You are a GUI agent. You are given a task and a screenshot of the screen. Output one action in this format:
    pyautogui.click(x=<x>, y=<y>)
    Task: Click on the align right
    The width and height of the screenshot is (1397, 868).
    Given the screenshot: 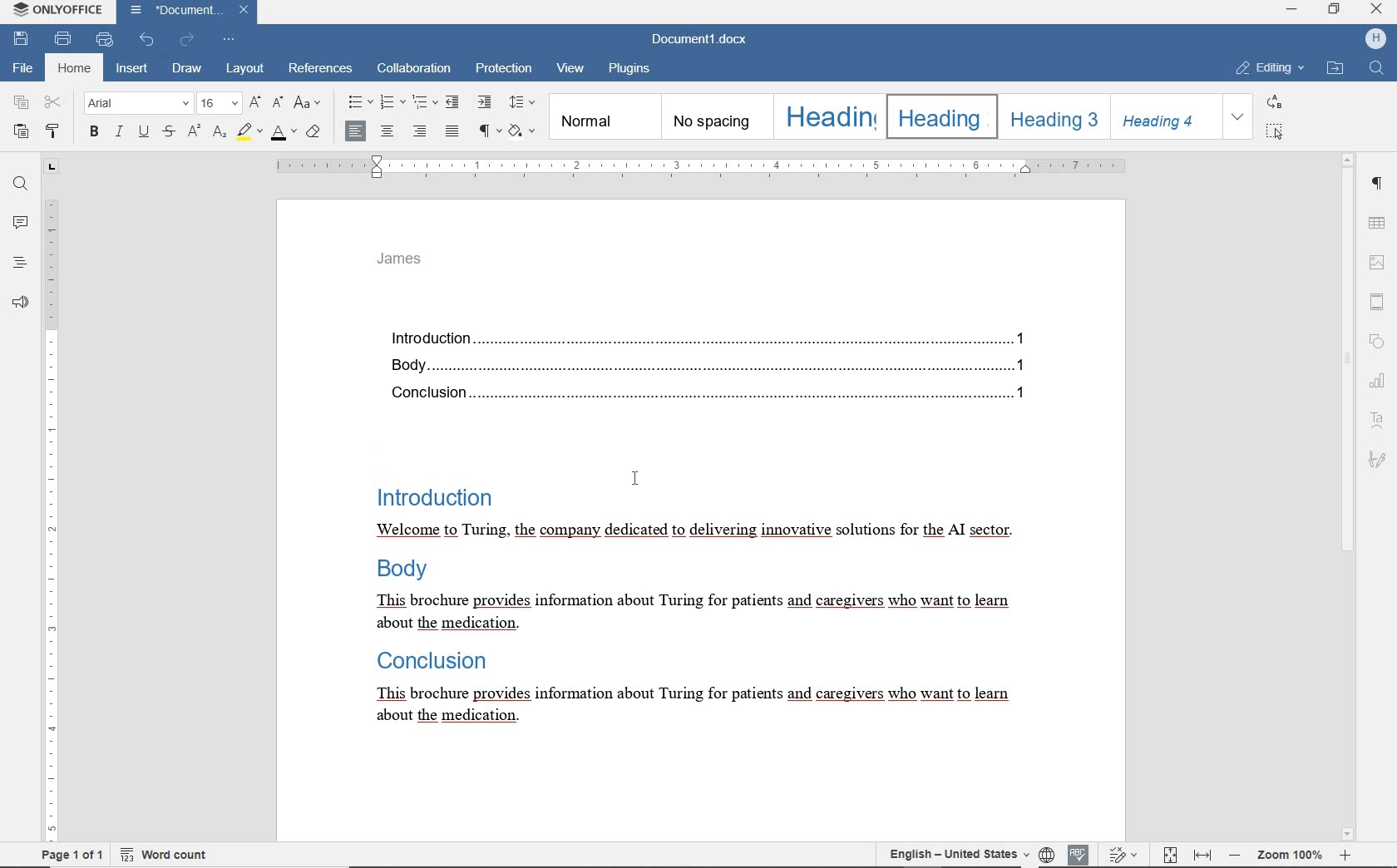 What is the action you would take?
    pyautogui.click(x=422, y=133)
    